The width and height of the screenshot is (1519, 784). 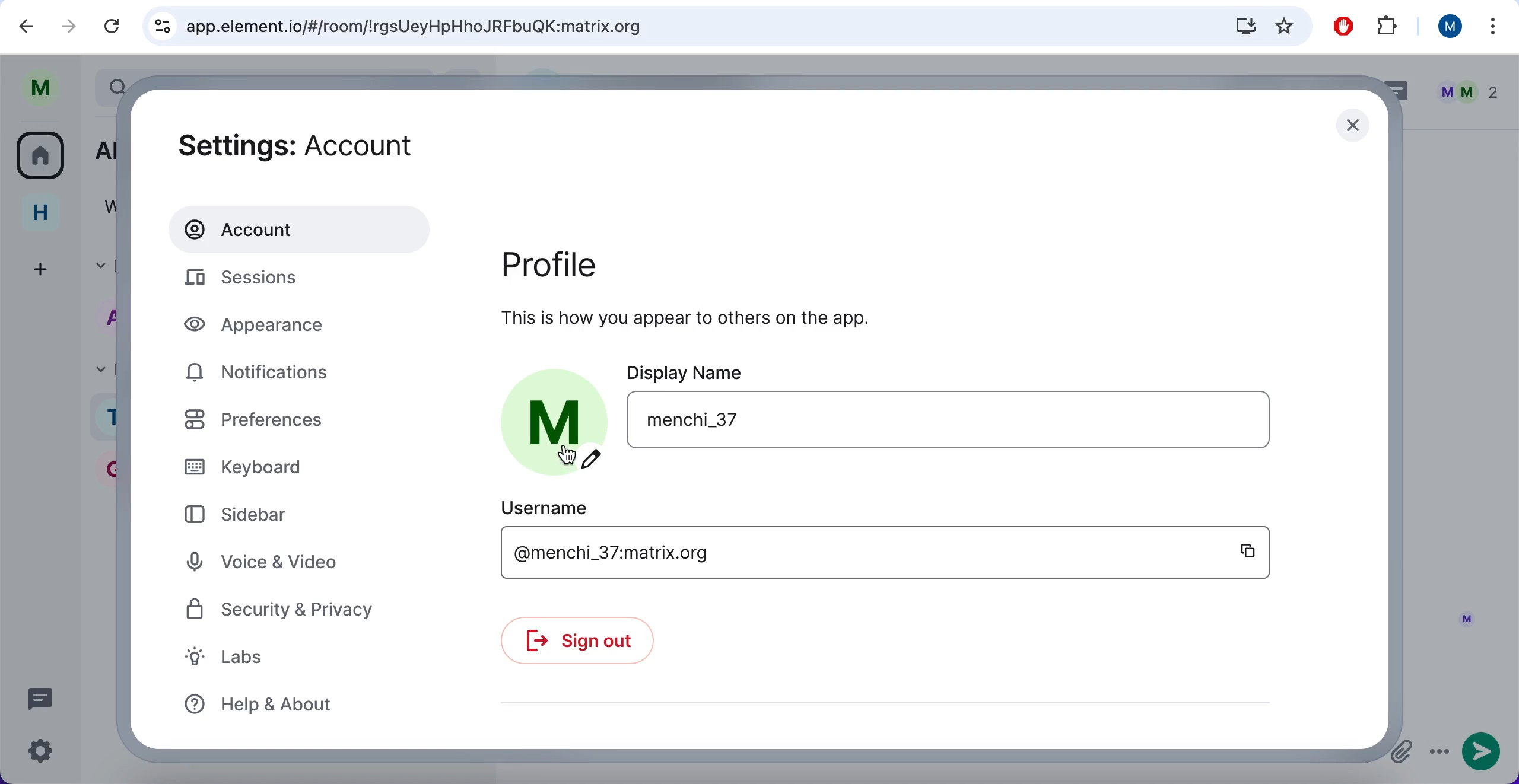 I want to click on labs, so click(x=249, y=659).